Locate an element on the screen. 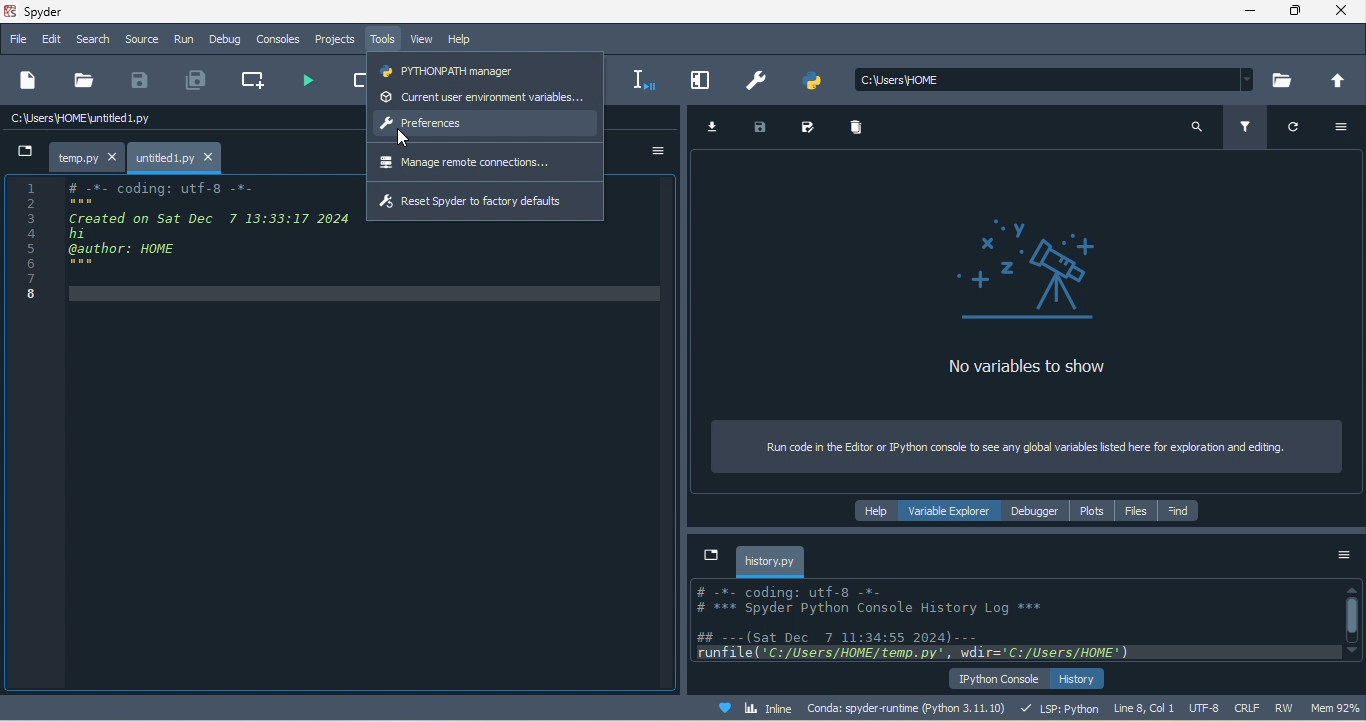 The width and height of the screenshot is (1366, 722). debug is located at coordinates (230, 38).